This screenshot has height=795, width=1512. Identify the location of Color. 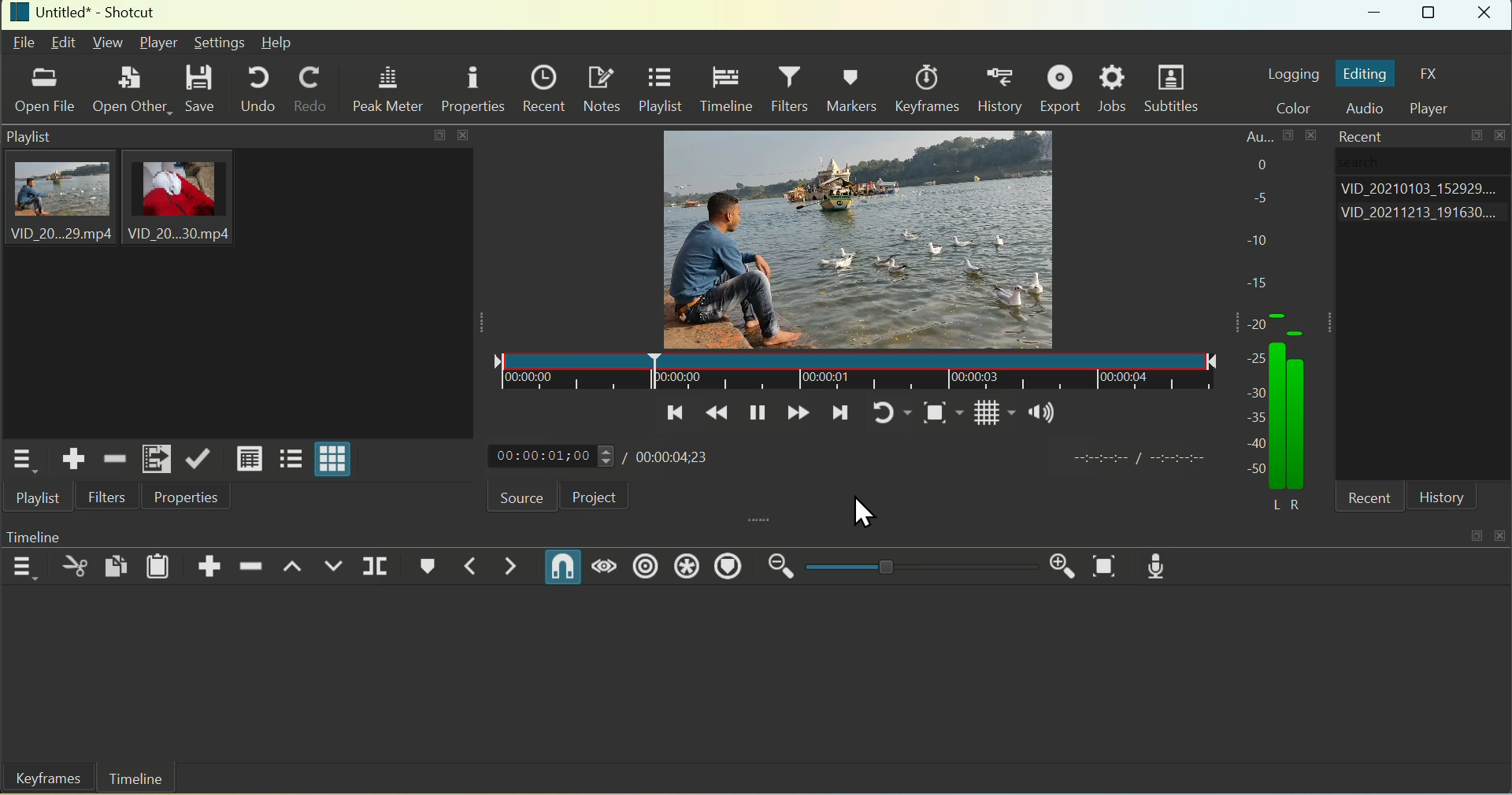
(1301, 109).